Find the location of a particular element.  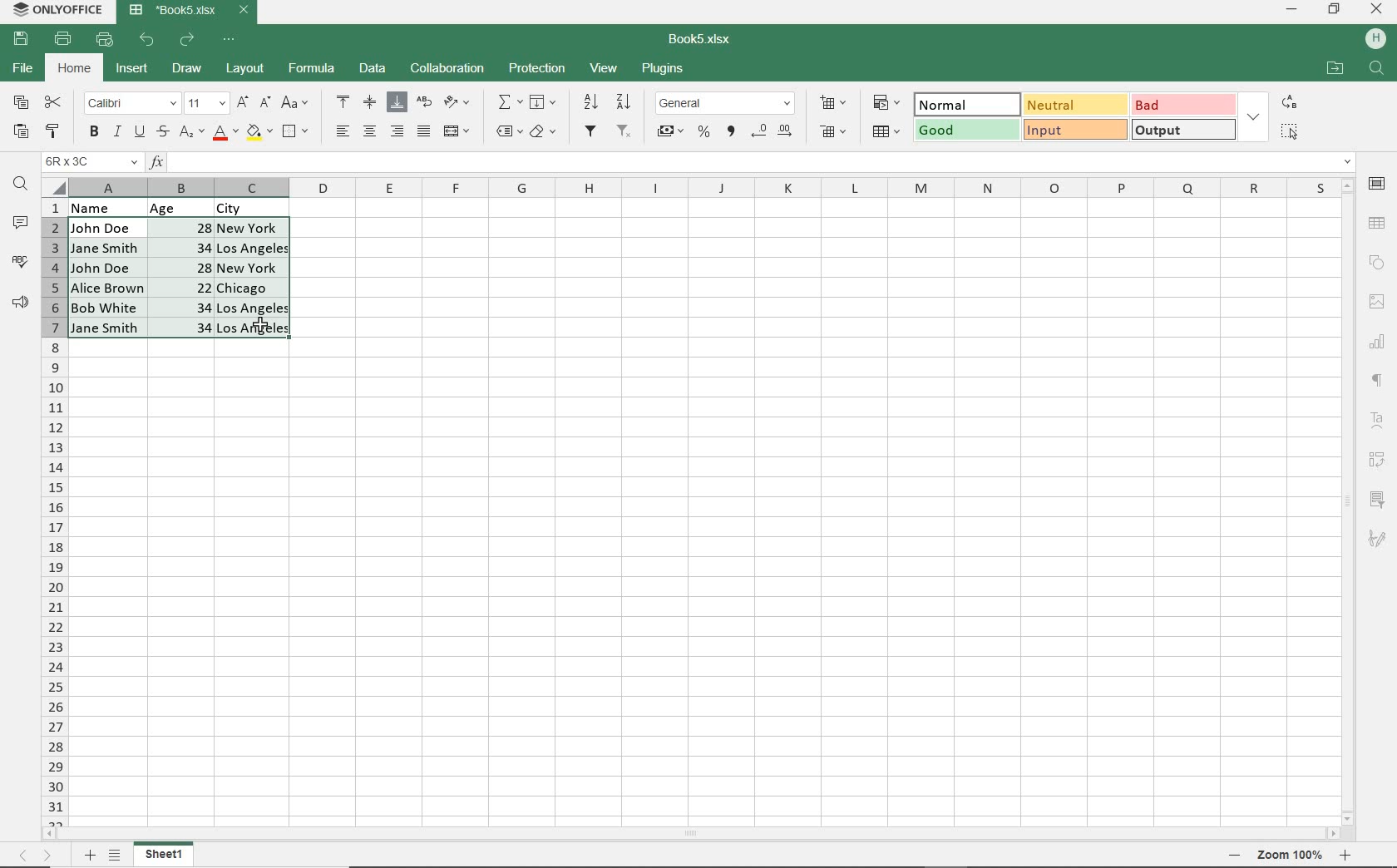

COMMENTS is located at coordinates (23, 223).